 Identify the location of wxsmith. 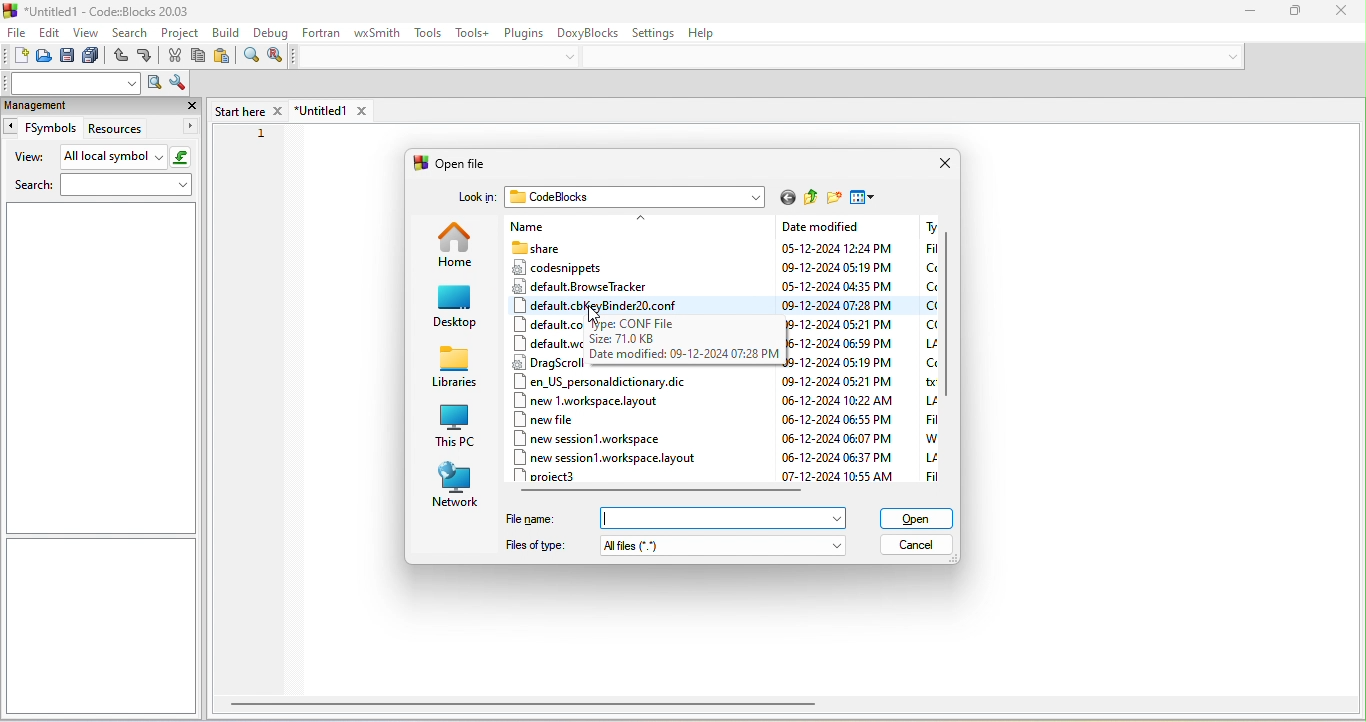
(377, 36).